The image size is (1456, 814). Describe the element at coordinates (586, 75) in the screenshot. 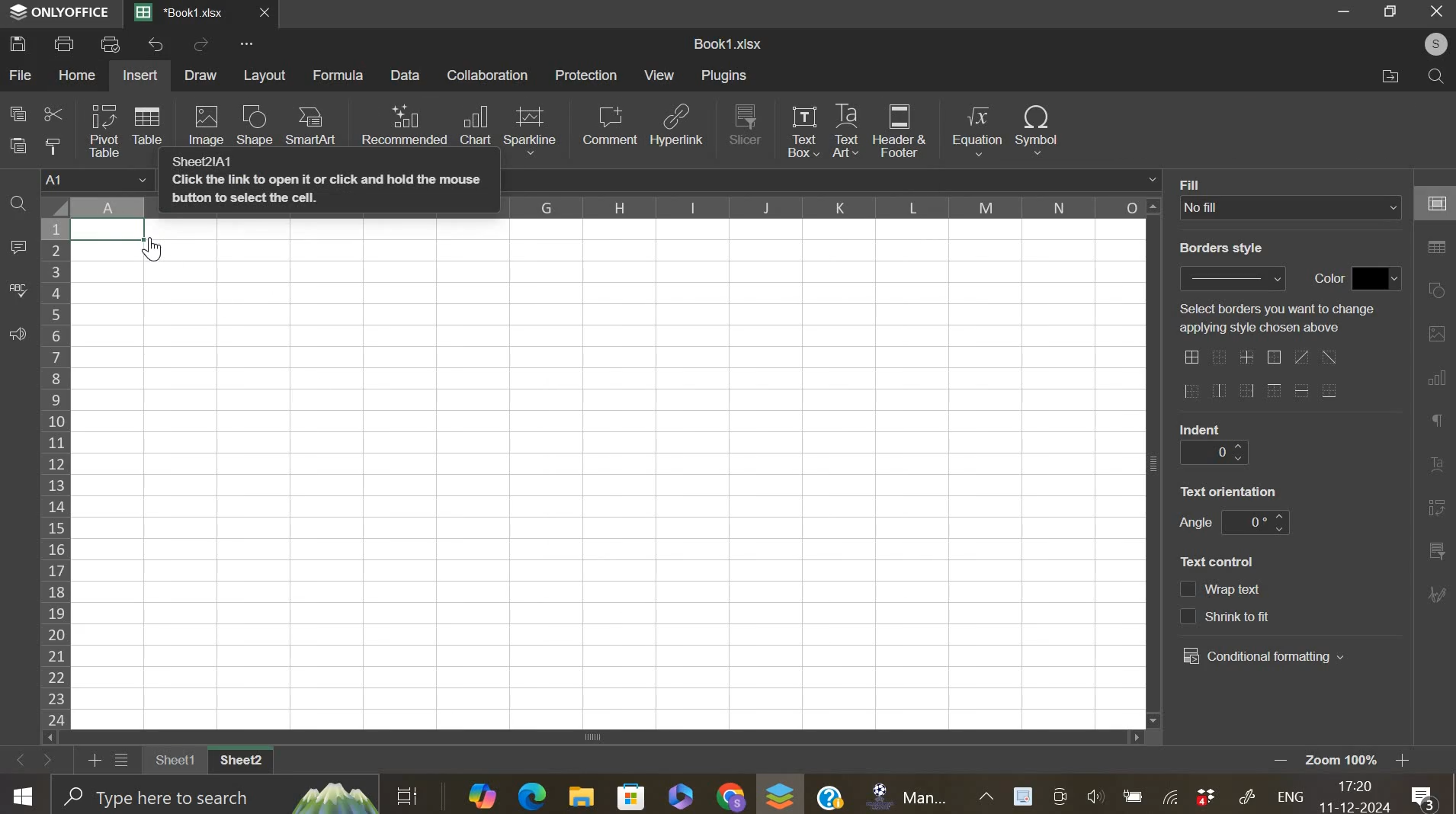

I see `protection` at that location.